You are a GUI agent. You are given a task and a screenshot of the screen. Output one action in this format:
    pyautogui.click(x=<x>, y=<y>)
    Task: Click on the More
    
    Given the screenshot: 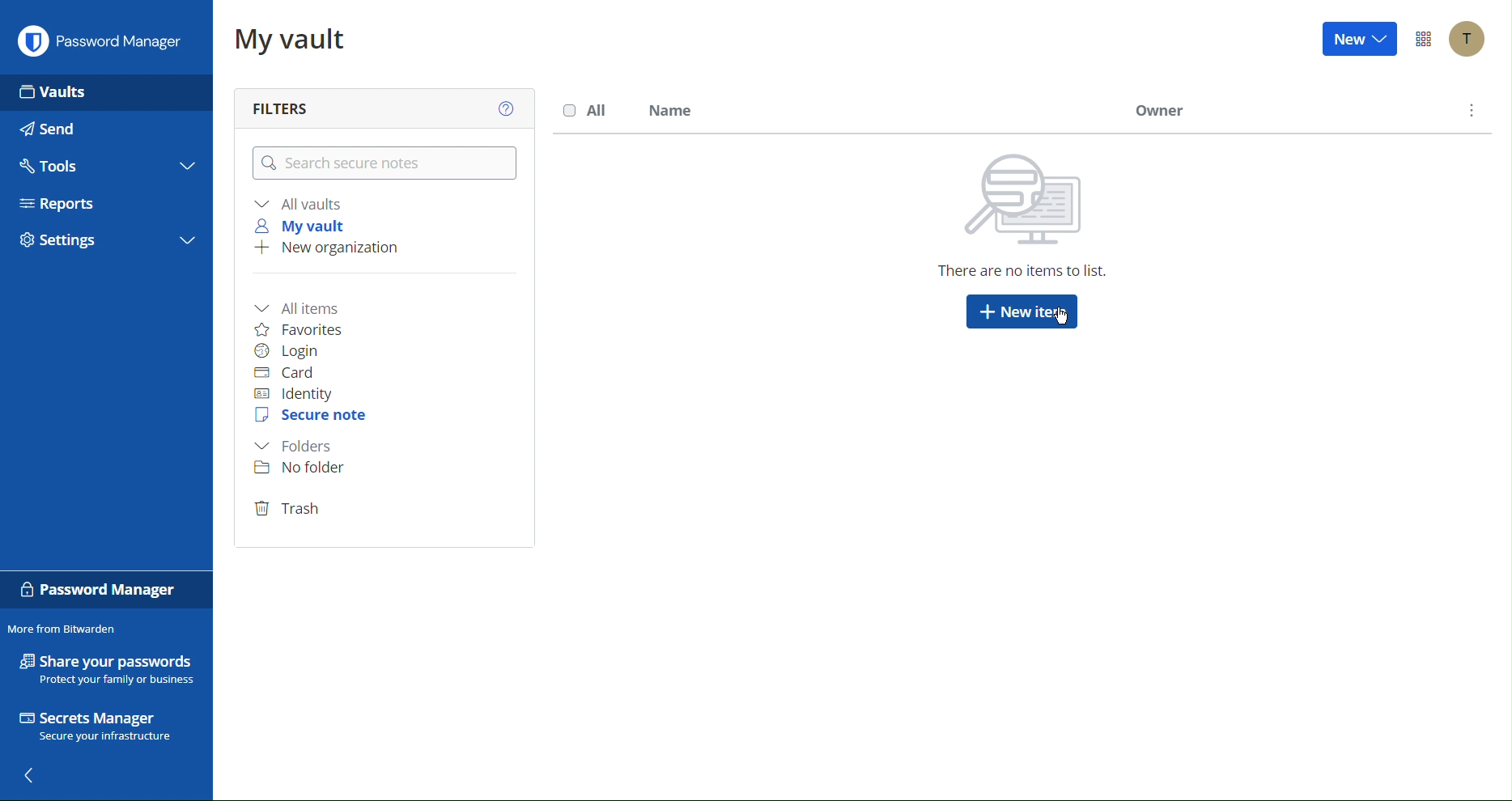 What is the action you would take?
    pyautogui.click(x=1472, y=109)
    